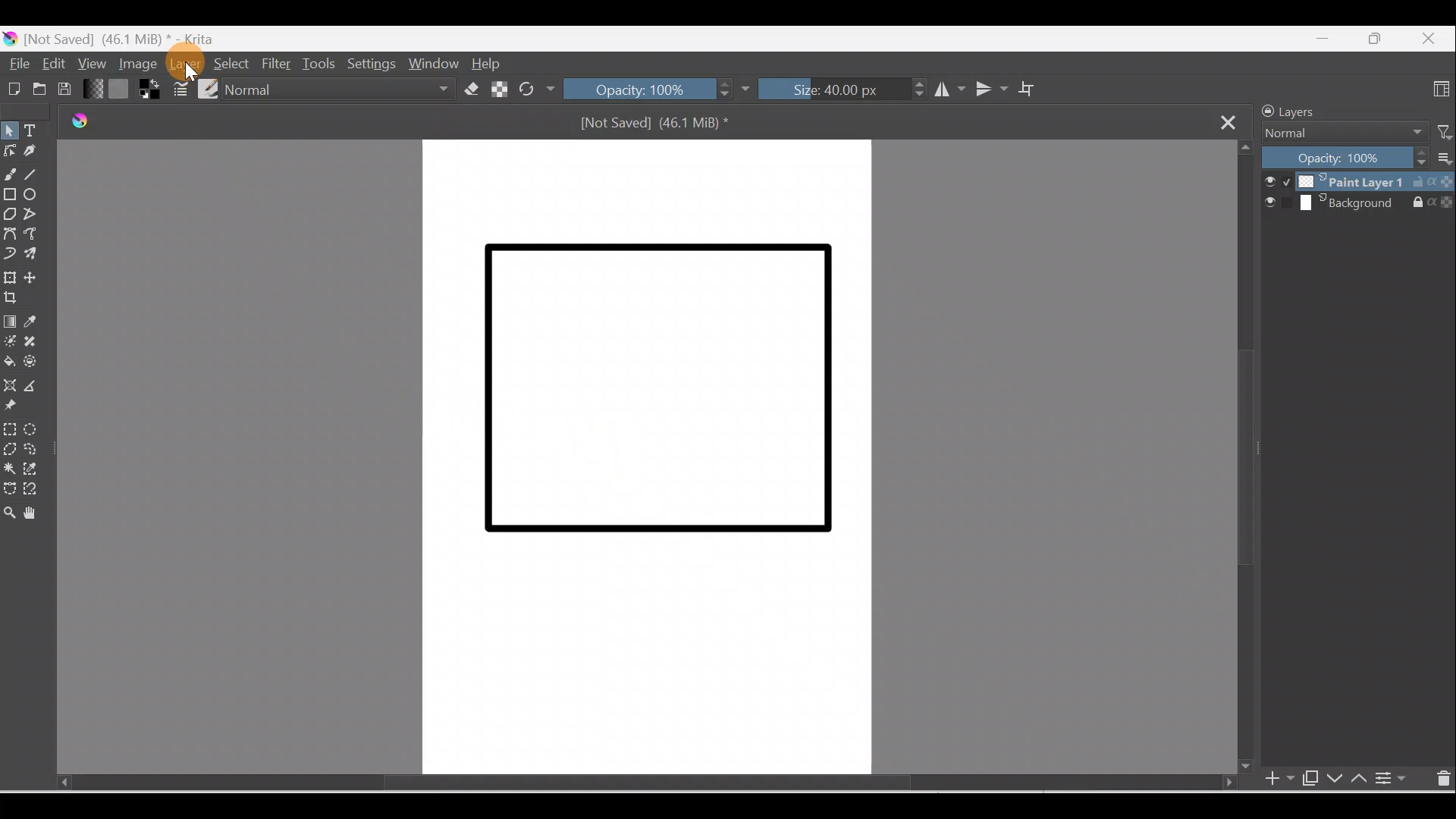 This screenshot has height=819, width=1456. What do you see at coordinates (183, 61) in the screenshot?
I see `Cursor` at bounding box center [183, 61].